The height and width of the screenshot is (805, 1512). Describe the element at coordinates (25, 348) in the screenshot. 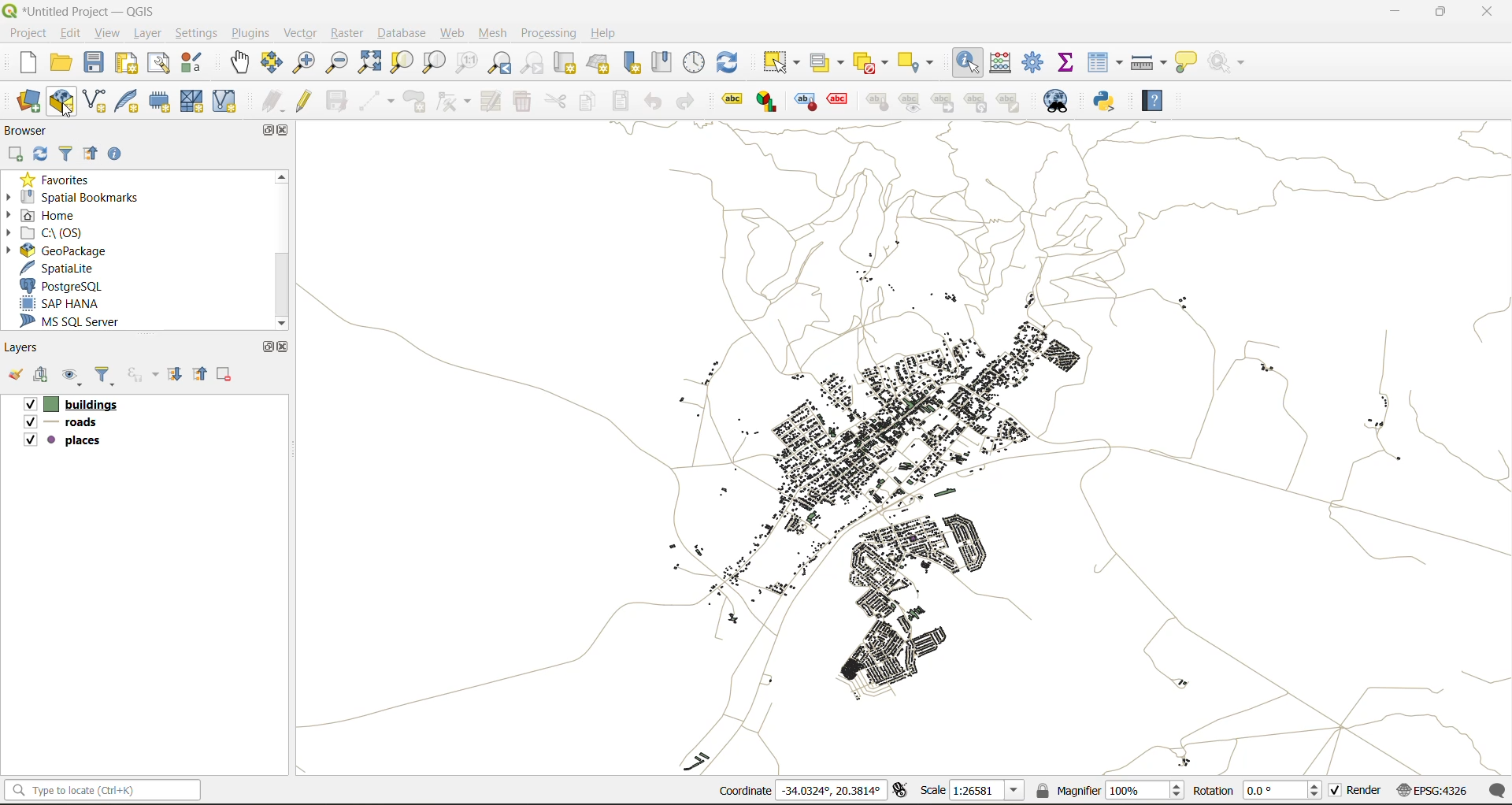

I see `layers` at that location.